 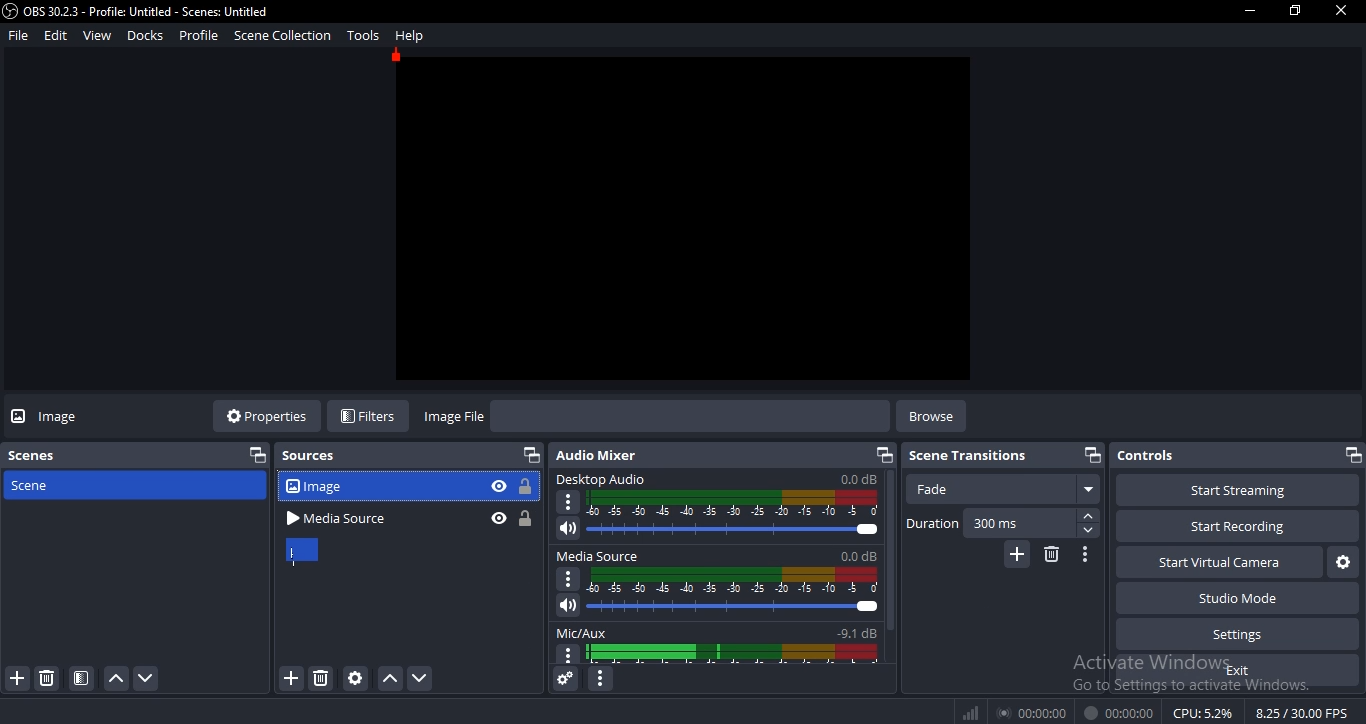 What do you see at coordinates (1231, 490) in the screenshot?
I see `start streaming` at bounding box center [1231, 490].